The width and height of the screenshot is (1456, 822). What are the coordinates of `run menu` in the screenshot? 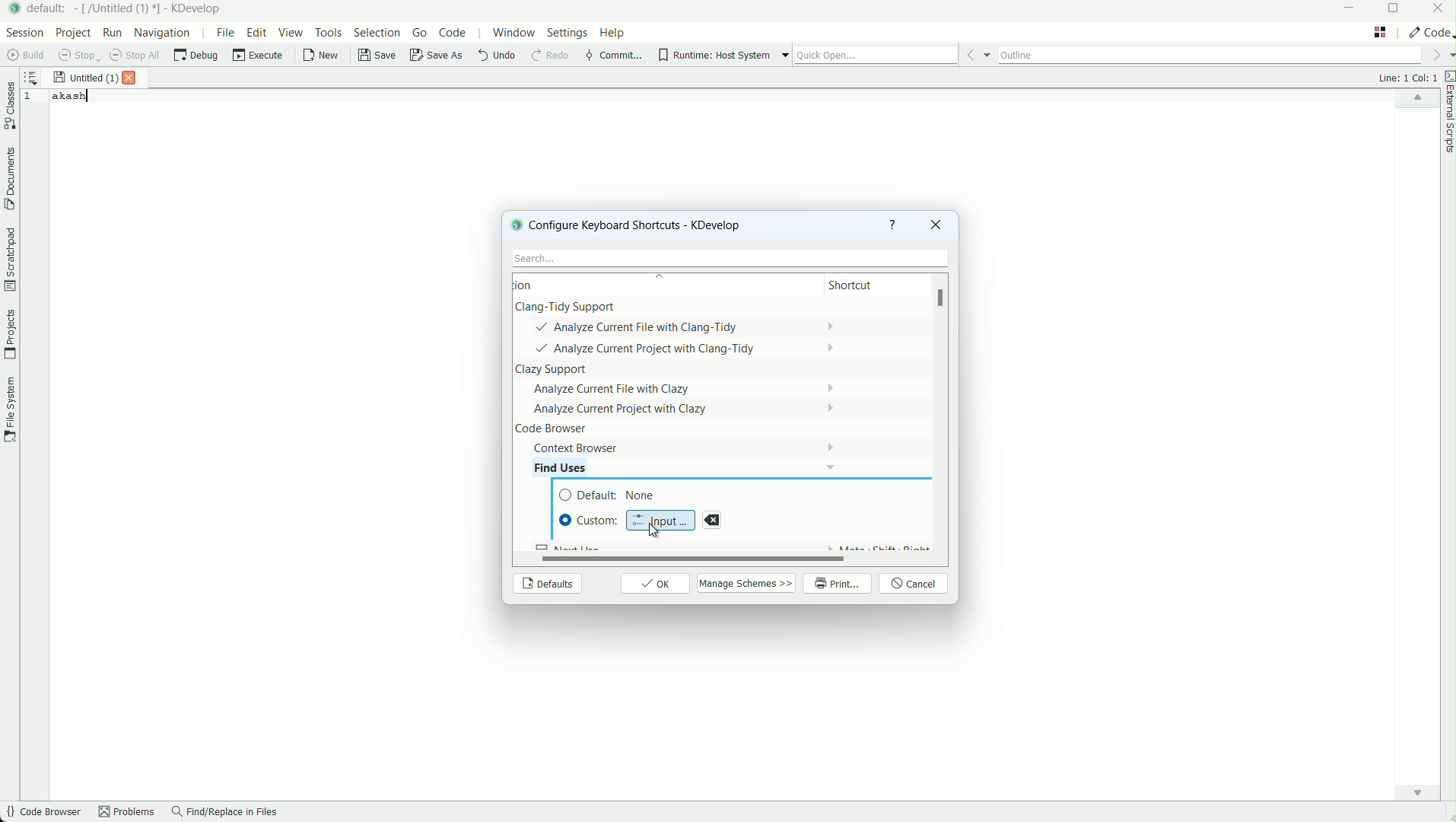 It's located at (113, 33).